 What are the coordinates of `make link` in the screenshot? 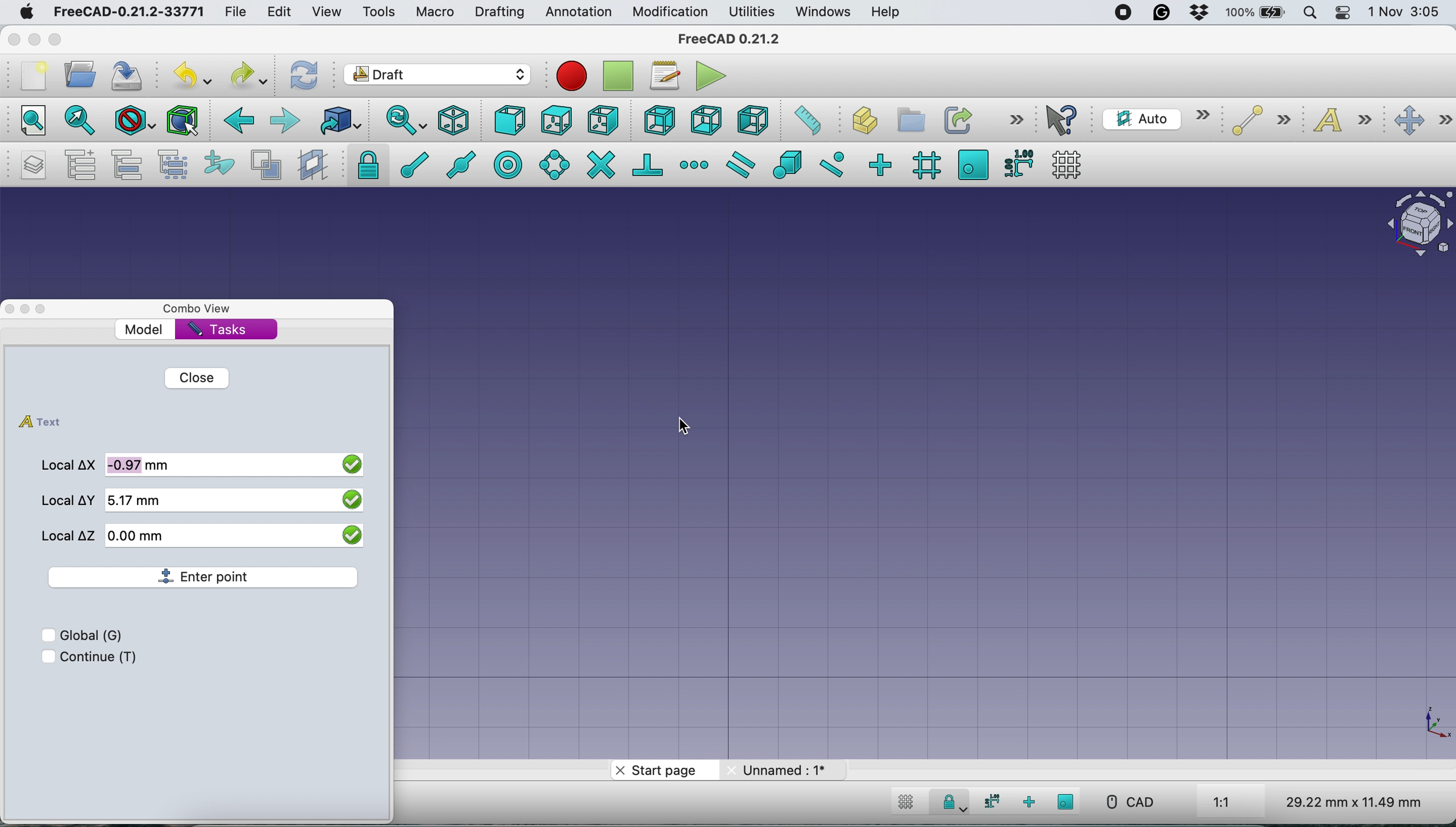 It's located at (954, 119).